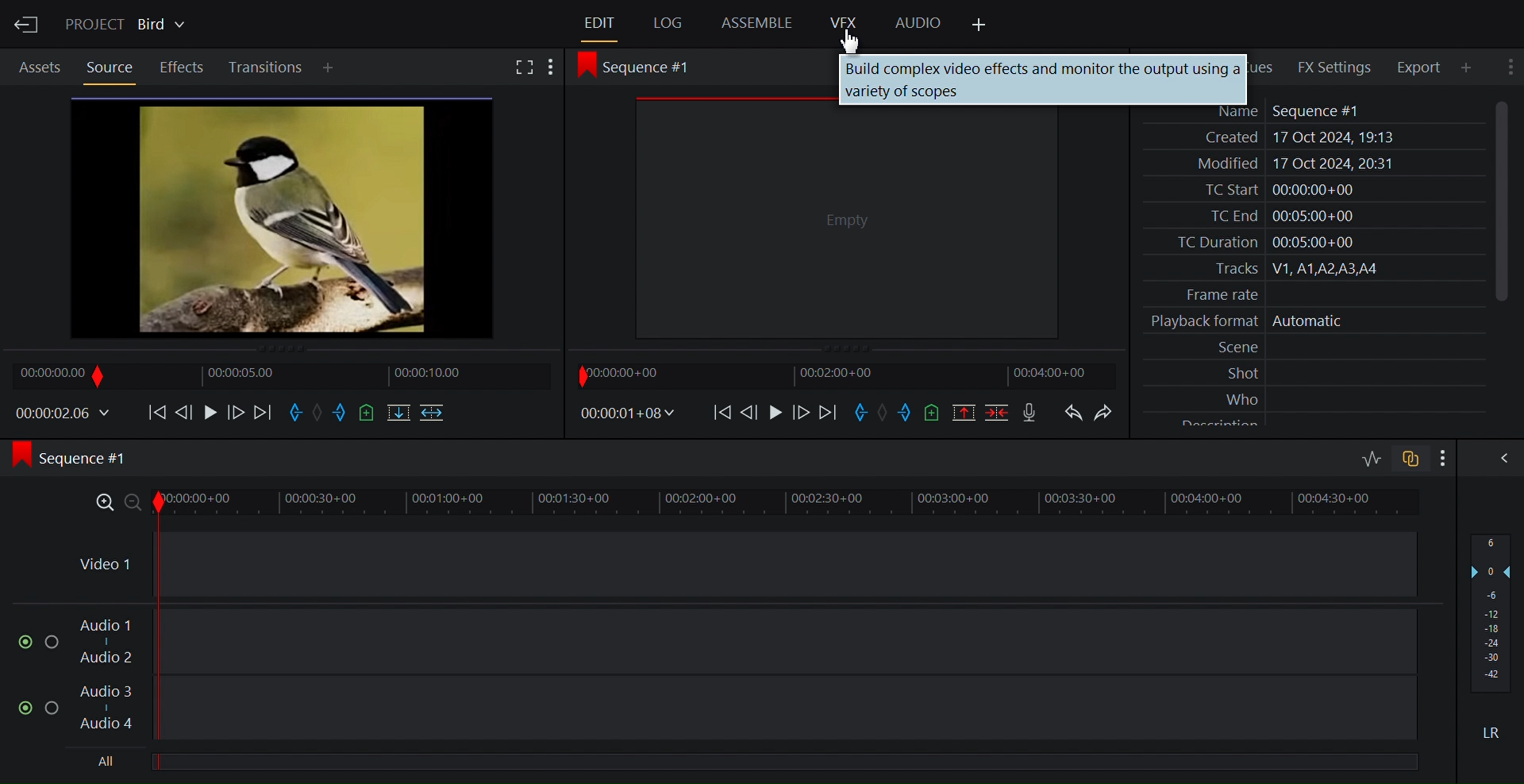 The image size is (1524, 784). I want to click on VFX Dialog, so click(1042, 75).